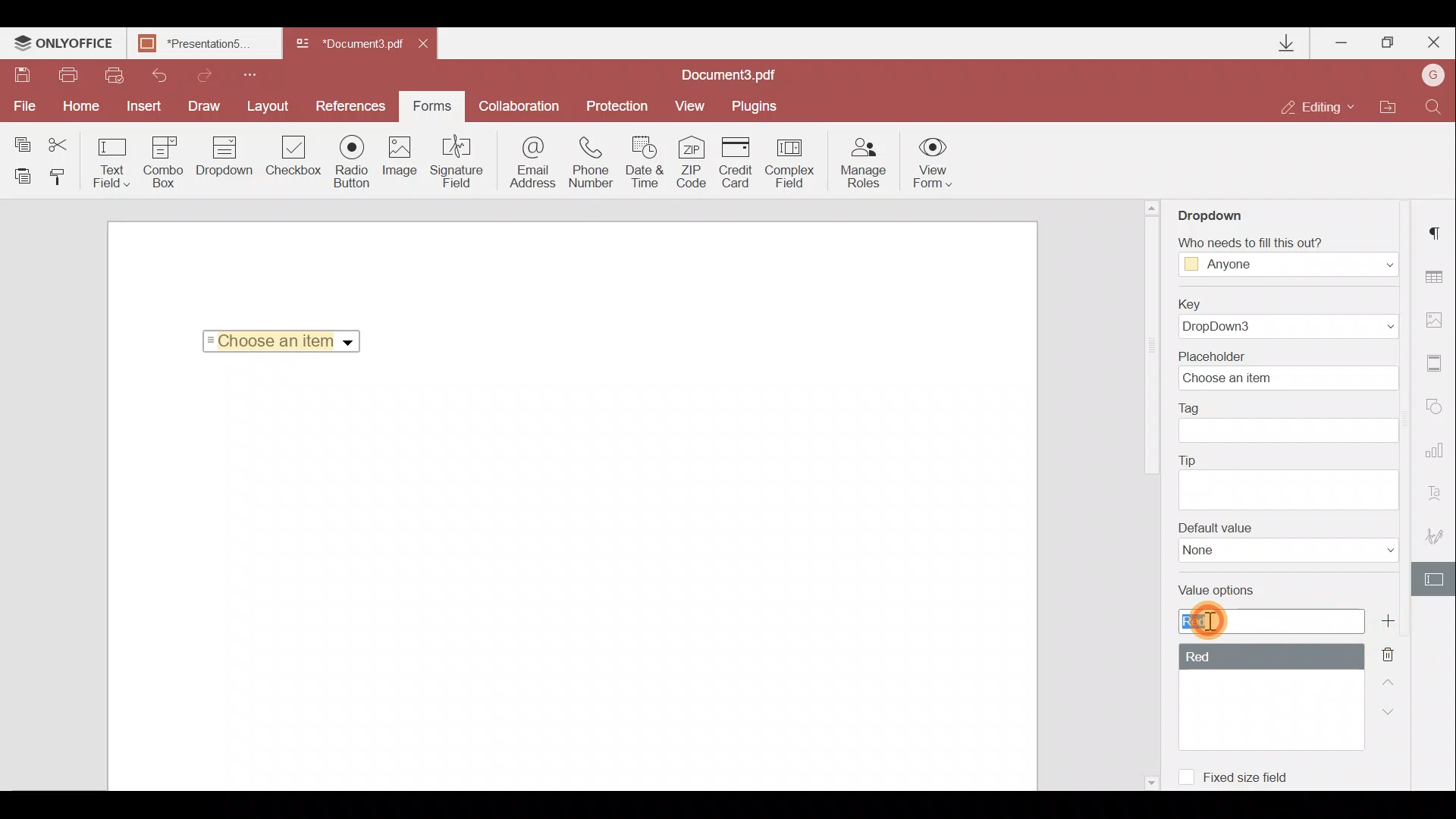 The image size is (1456, 819). Describe the element at coordinates (256, 74) in the screenshot. I see `Customize quick access toolbar` at that location.